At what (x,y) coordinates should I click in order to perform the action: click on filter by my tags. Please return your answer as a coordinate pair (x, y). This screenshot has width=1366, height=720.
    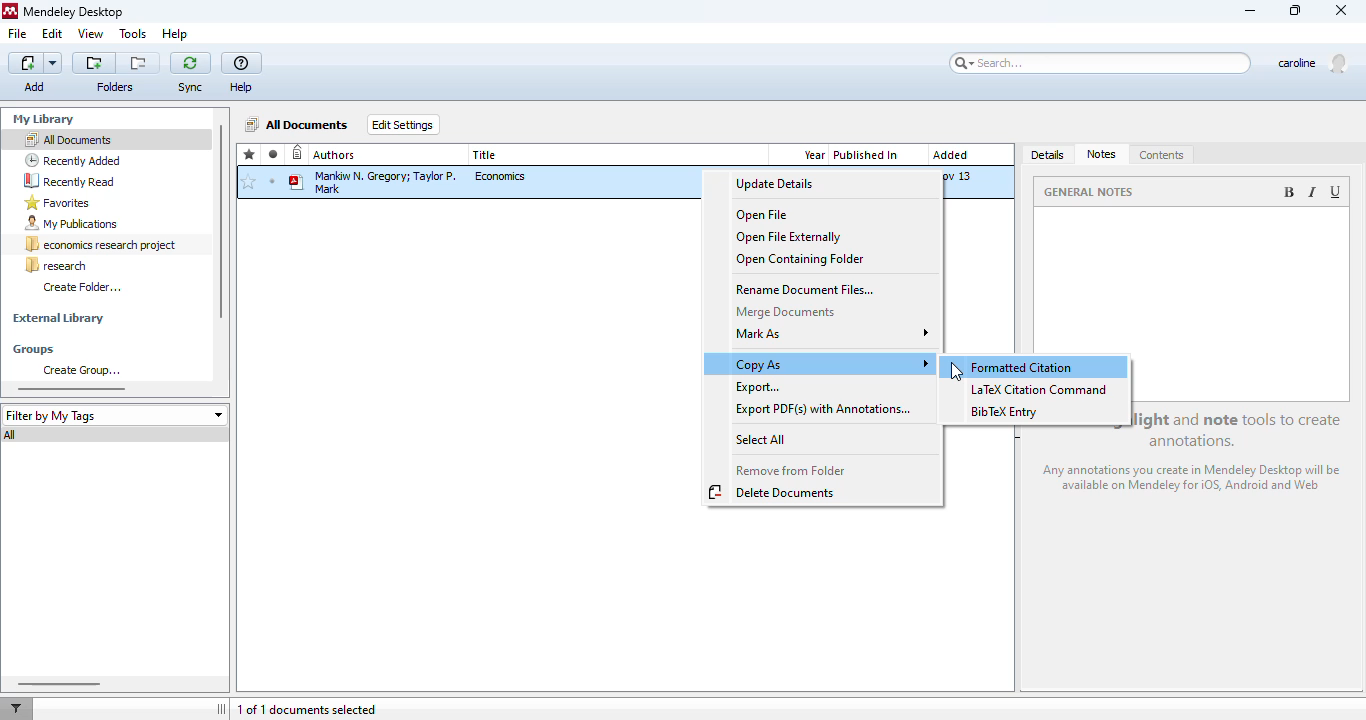
    Looking at the image, I should click on (114, 415).